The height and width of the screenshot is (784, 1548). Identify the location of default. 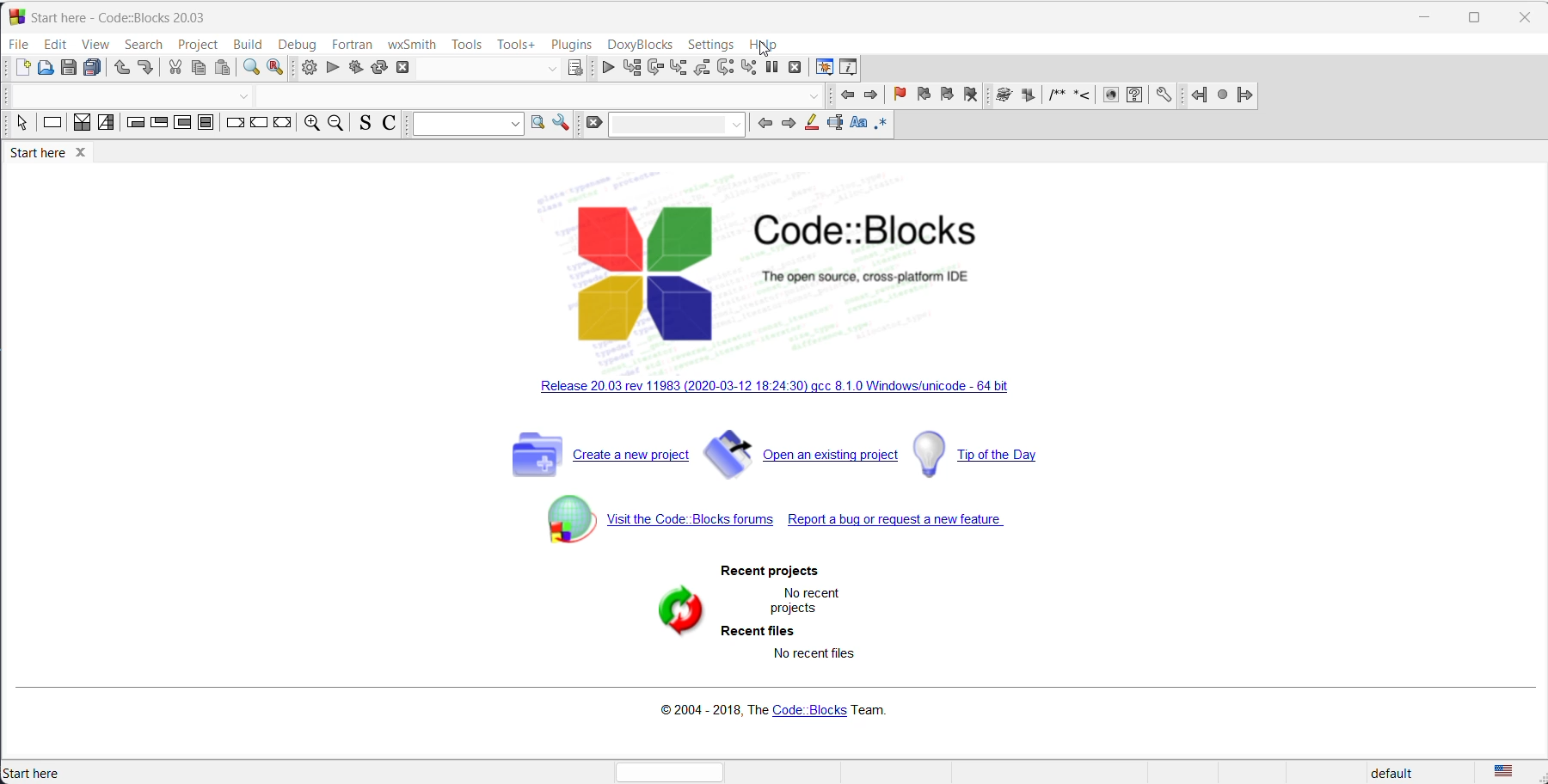
(1404, 771).